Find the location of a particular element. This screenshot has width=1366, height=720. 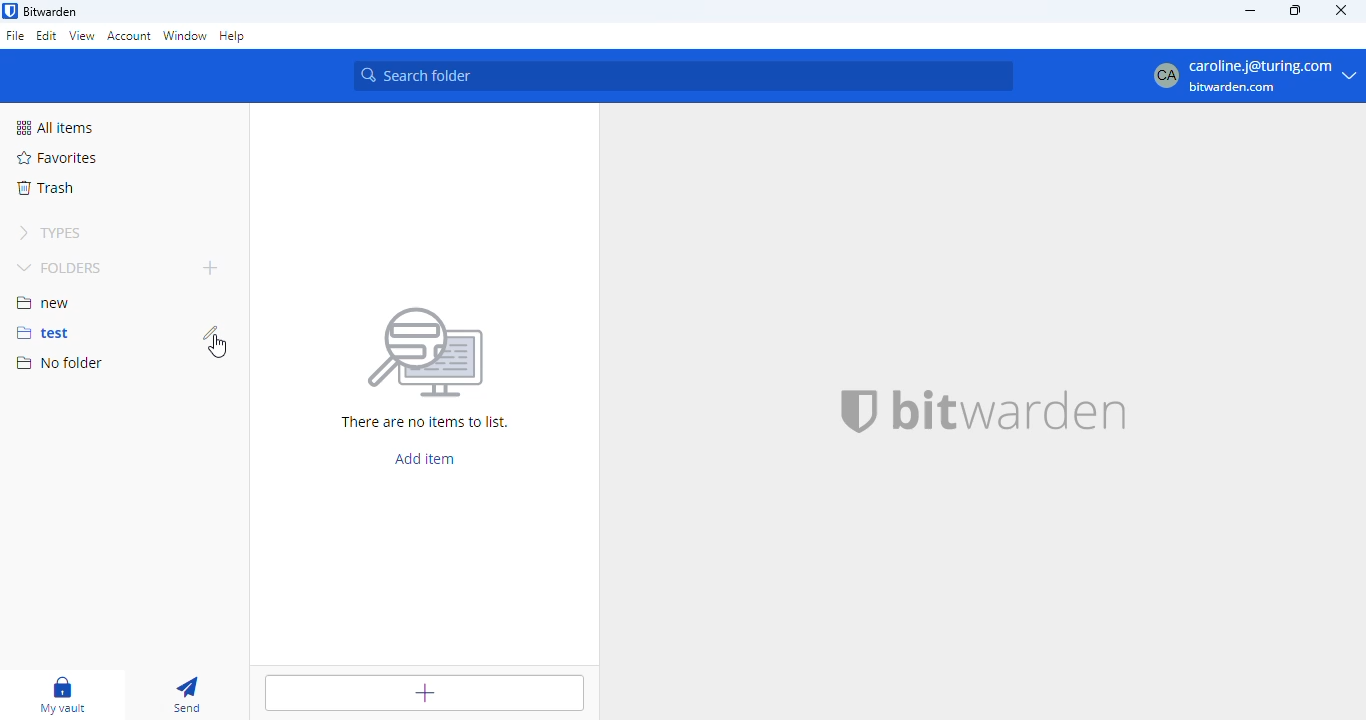

search vault is located at coordinates (683, 76).